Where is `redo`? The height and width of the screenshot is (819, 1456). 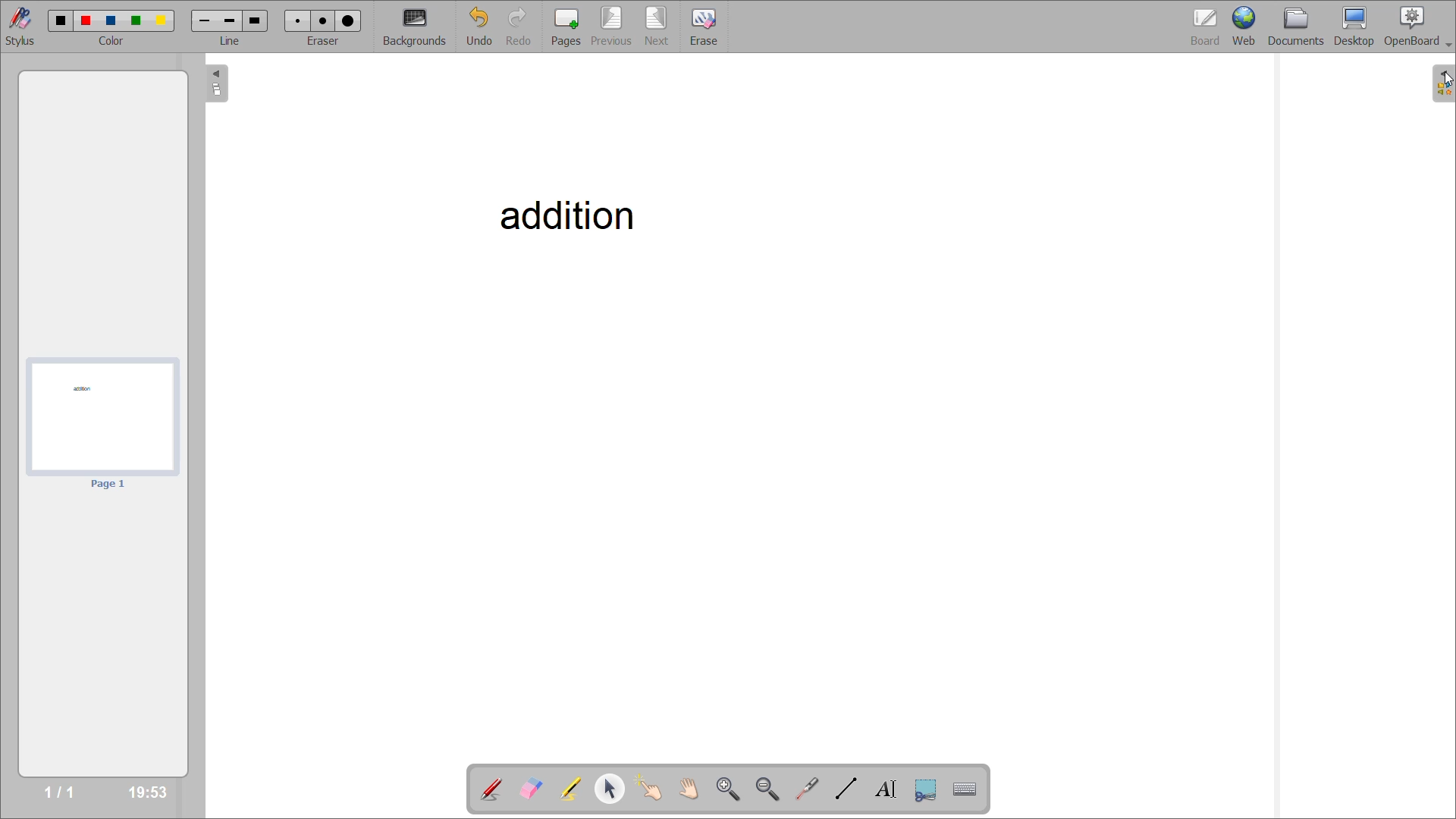
redo is located at coordinates (523, 27).